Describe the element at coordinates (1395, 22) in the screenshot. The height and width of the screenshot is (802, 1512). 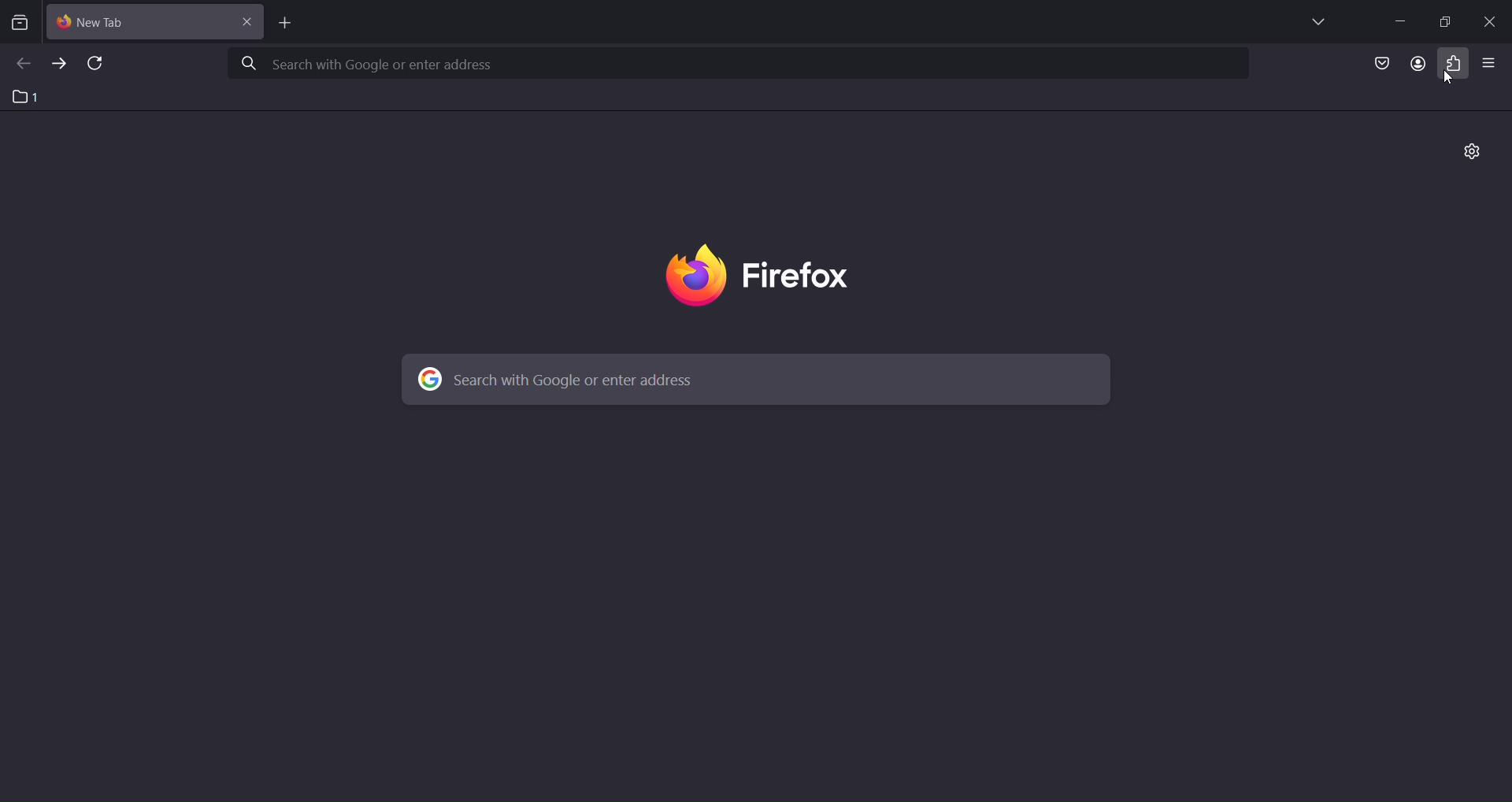
I see `minimize` at that location.